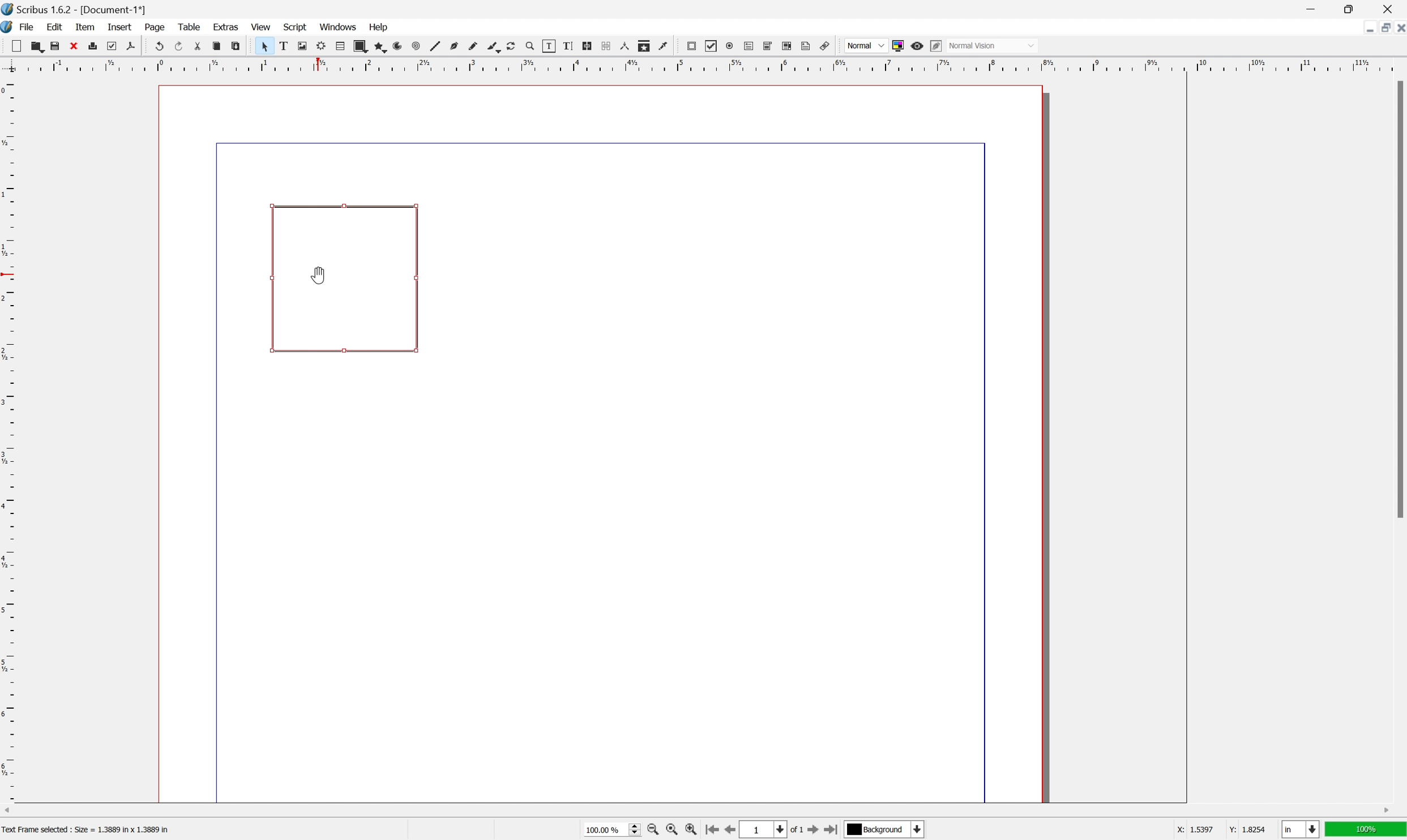 The height and width of the screenshot is (840, 1407). Describe the element at coordinates (130, 45) in the screenshot. I see `save as pdf` at that location.